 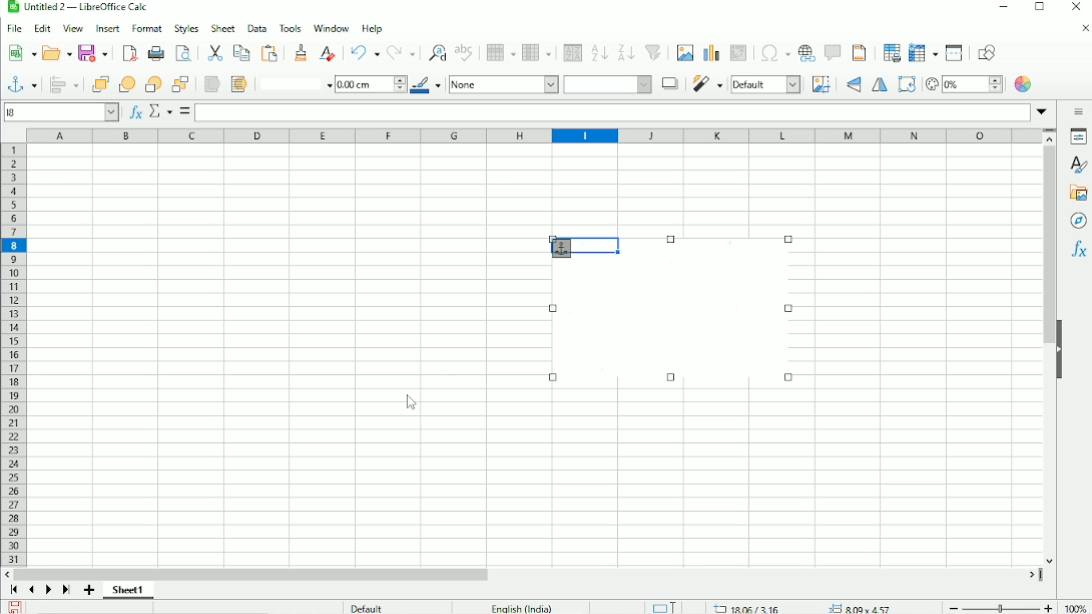 What do you see at coordinates (653, 52) in the screenshot?
I see `Autofilter` at bounding box center [653, 52].